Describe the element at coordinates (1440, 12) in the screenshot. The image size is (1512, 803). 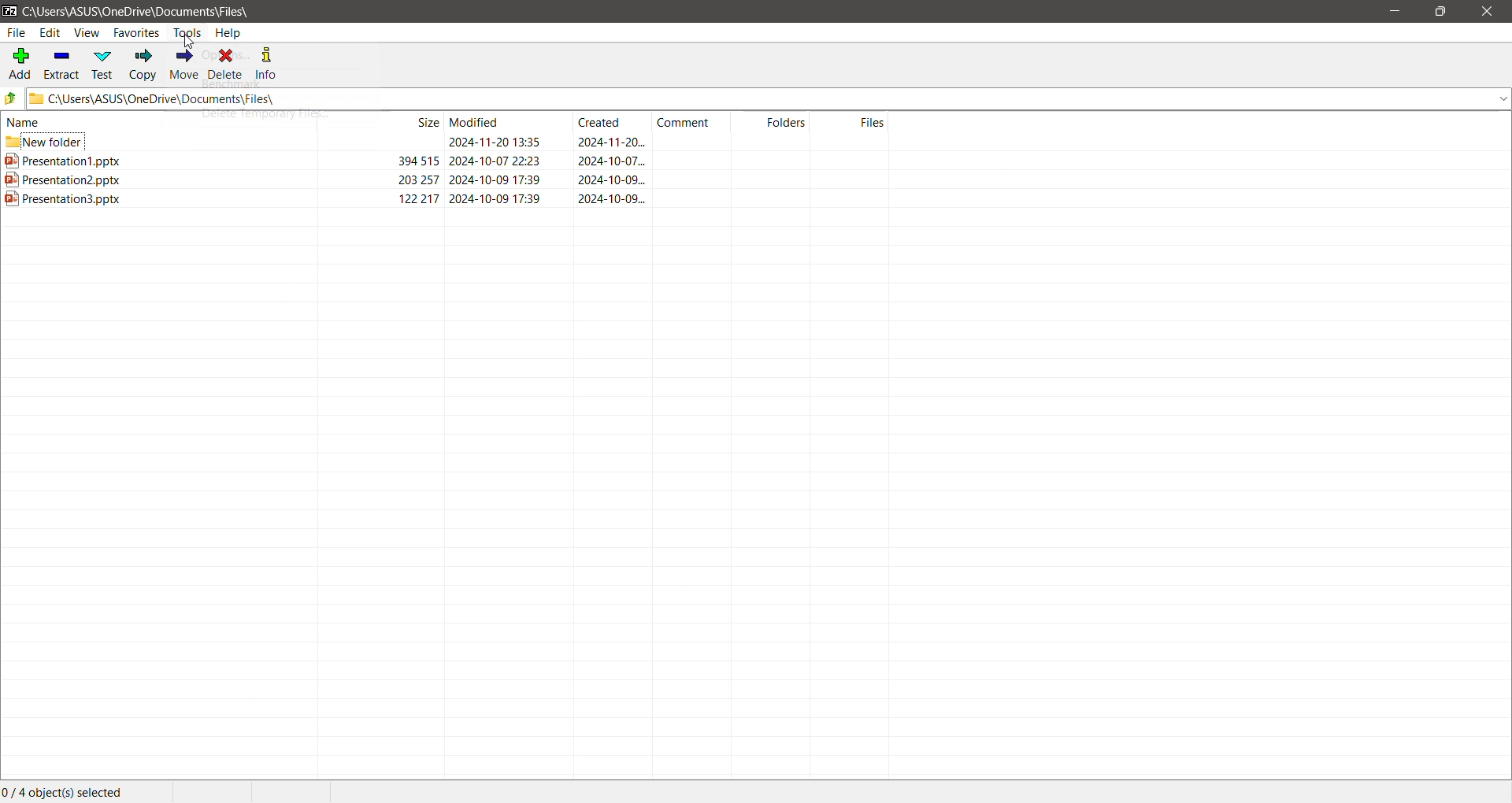
I see `Restore Down` at that location.